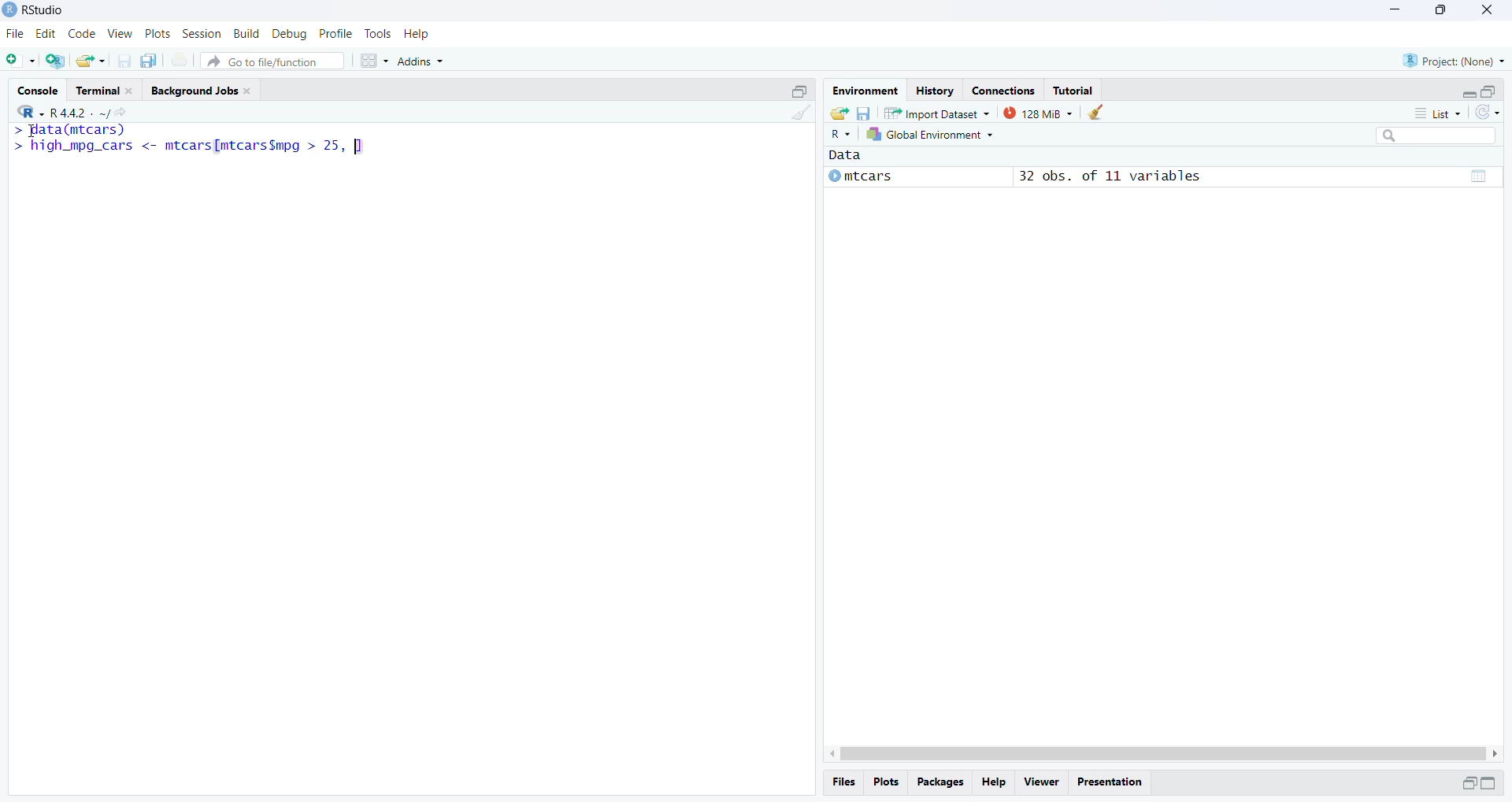 The width and height of the screenshot is (1512, 802). Describe the element at coordinates (113, 113) in the screenshot. I see `view current directory` at that location.